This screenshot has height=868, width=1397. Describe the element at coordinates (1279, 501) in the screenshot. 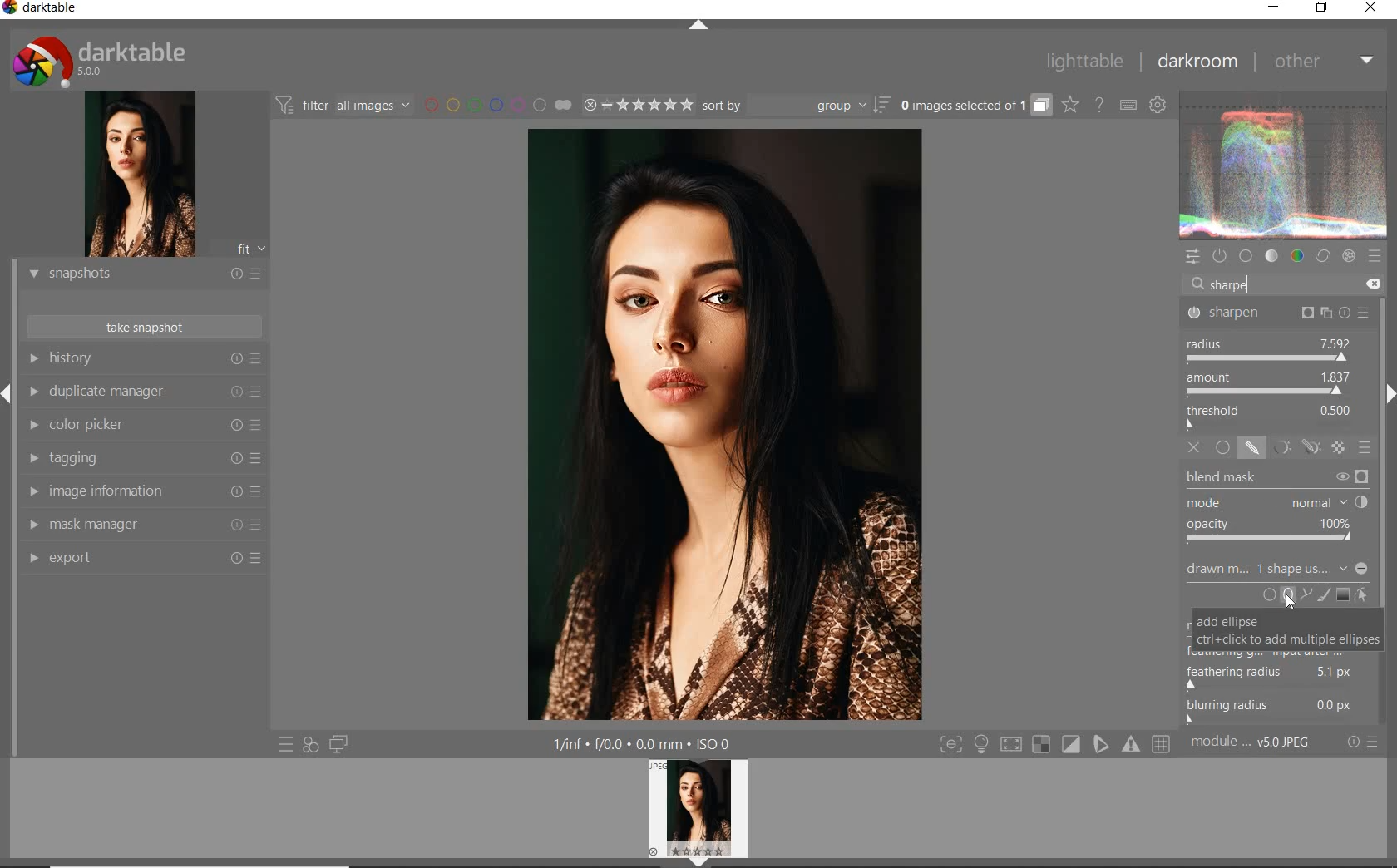

I see `MODE` at that location.